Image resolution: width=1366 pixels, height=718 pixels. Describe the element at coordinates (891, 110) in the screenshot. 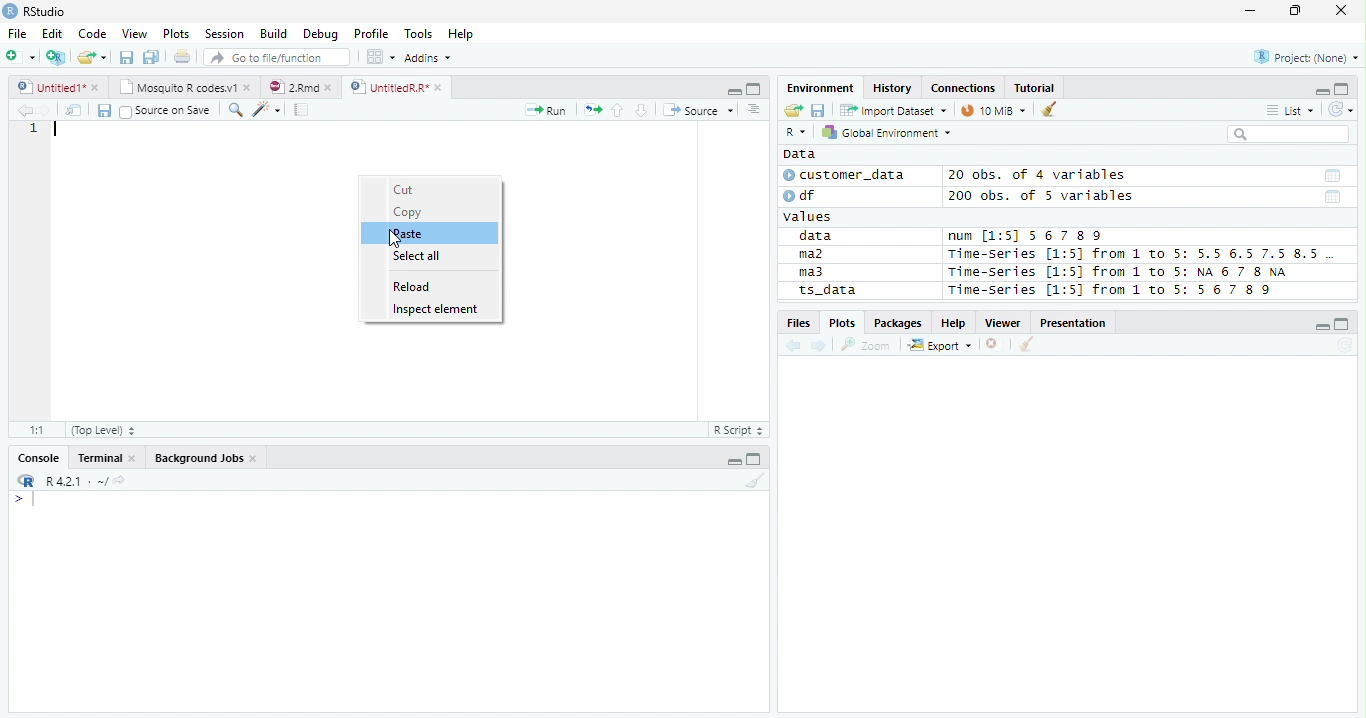

I see `Import Dataset` at that location.